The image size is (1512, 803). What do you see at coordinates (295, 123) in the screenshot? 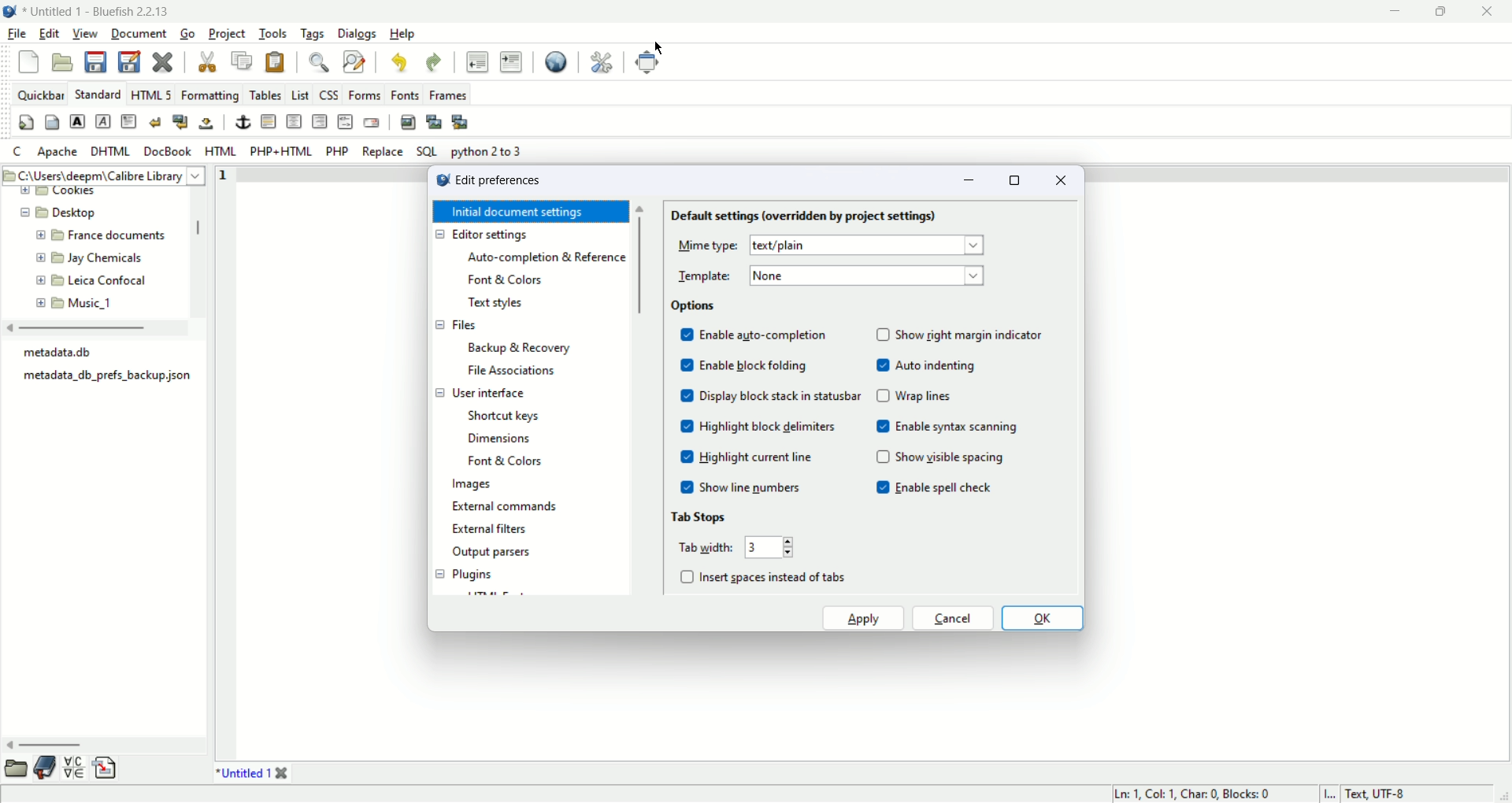
I see `center` at bounding box center [295, 123].